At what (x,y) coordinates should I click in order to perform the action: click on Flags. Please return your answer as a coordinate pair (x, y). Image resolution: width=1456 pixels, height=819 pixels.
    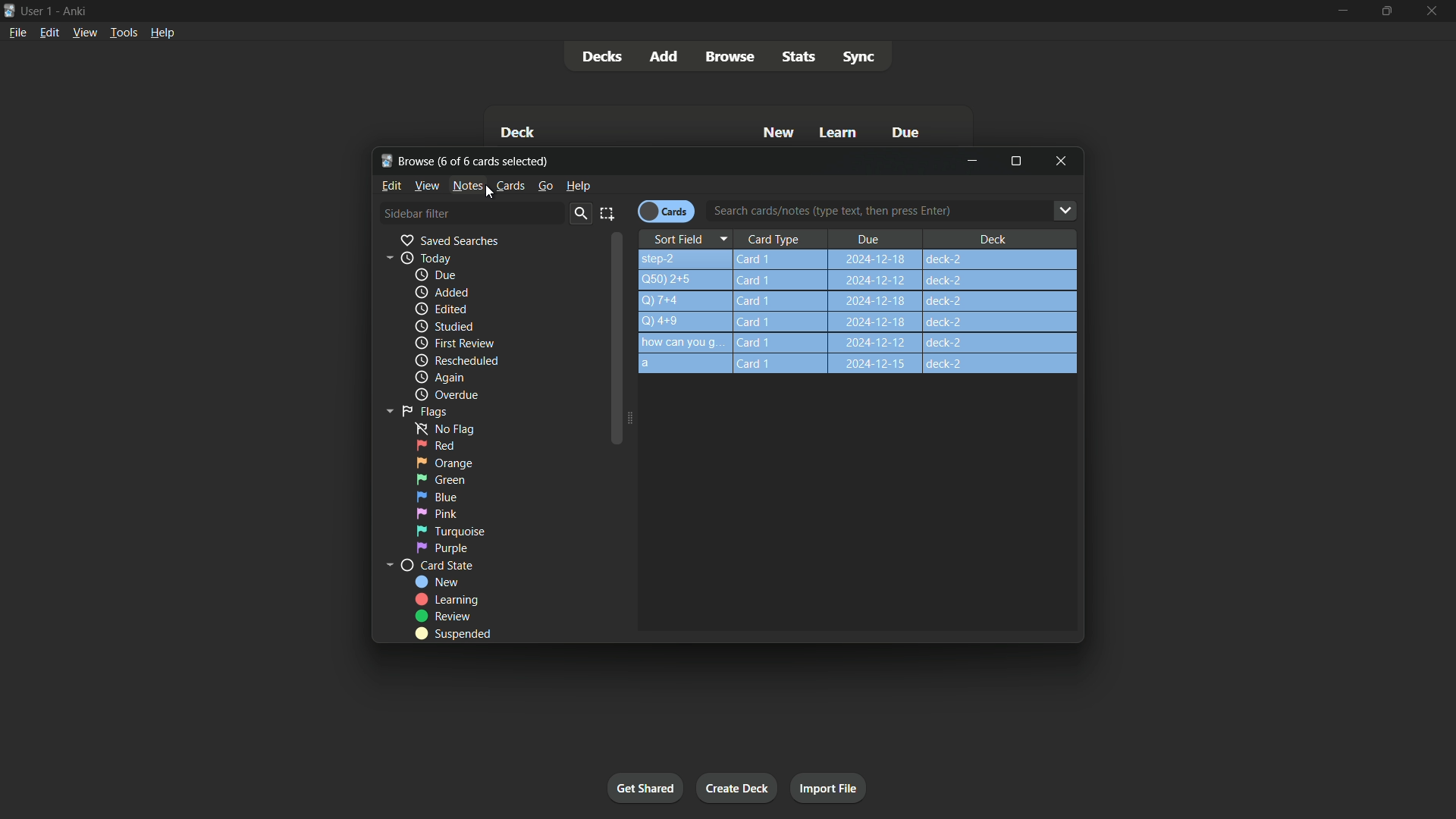
    Looking at the image, I should click on (413, 410).